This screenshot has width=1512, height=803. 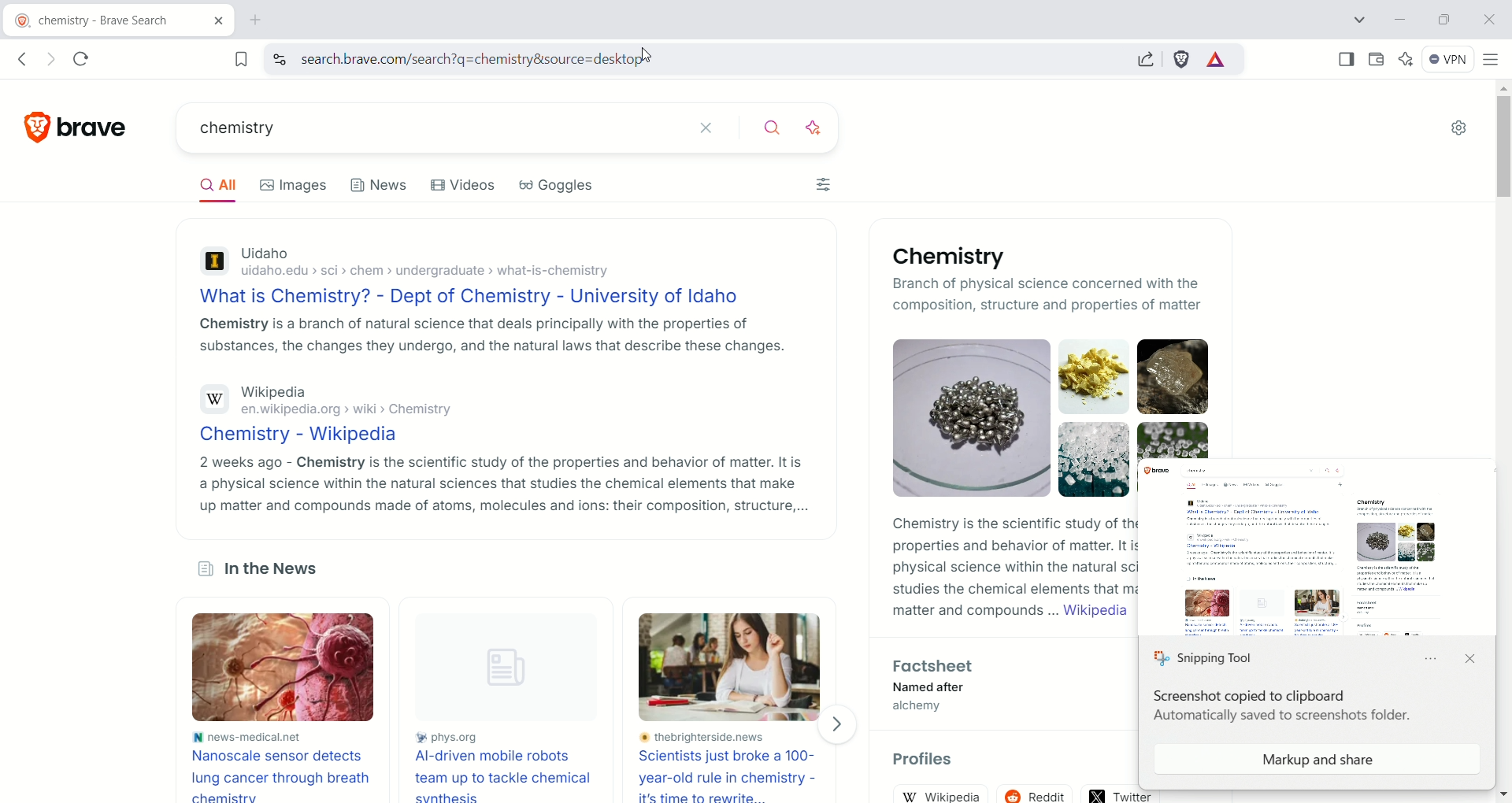 What do you see at coordinates (461, 60) in the screenshot?
I see `https://search.brave.com/search?q=chemistry&source=desktop` at bounding box center [461, 60].